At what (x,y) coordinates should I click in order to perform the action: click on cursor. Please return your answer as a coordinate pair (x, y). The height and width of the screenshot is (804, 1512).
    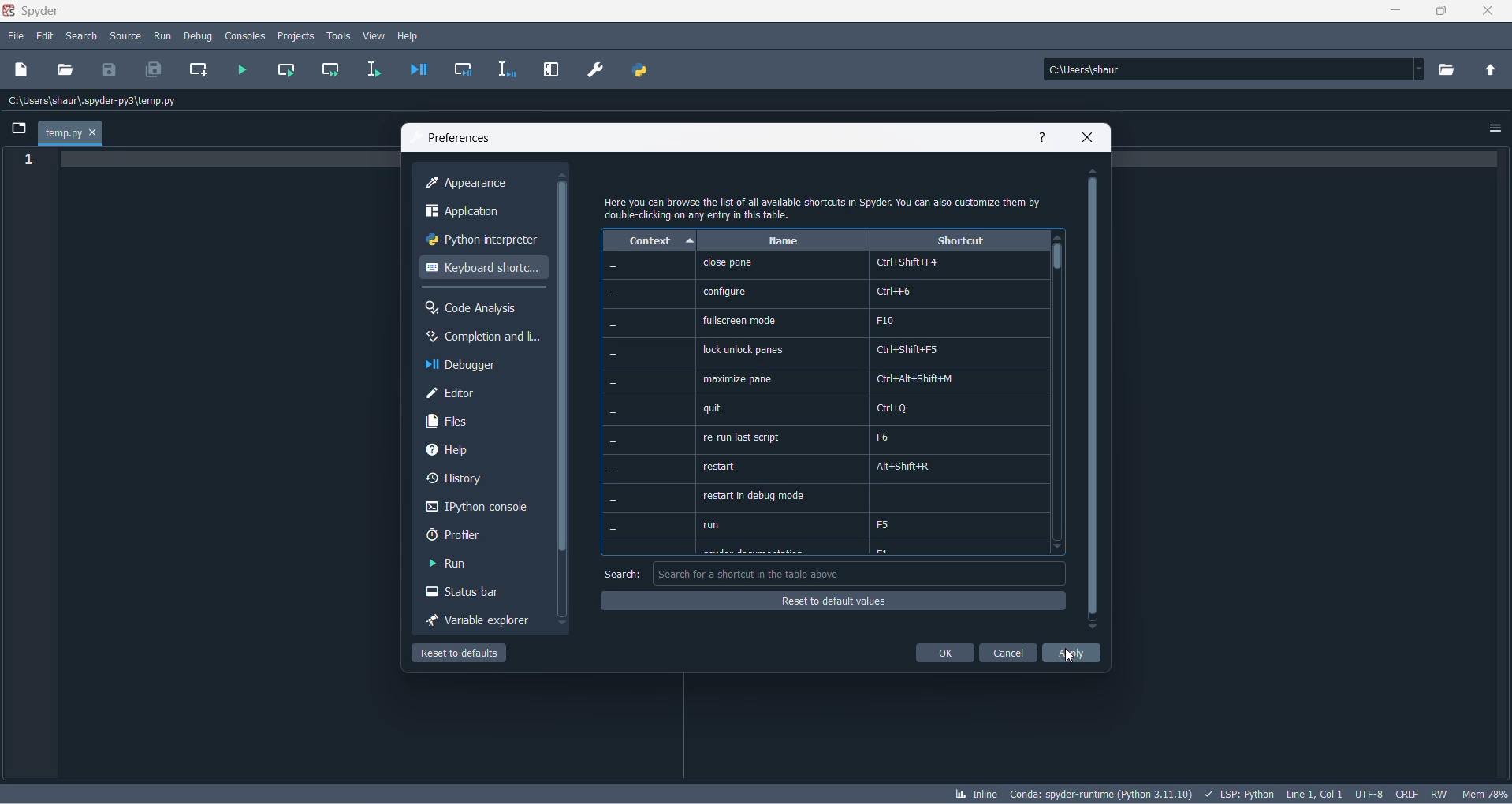
    Looking at the image, I should click on (1074, 658).